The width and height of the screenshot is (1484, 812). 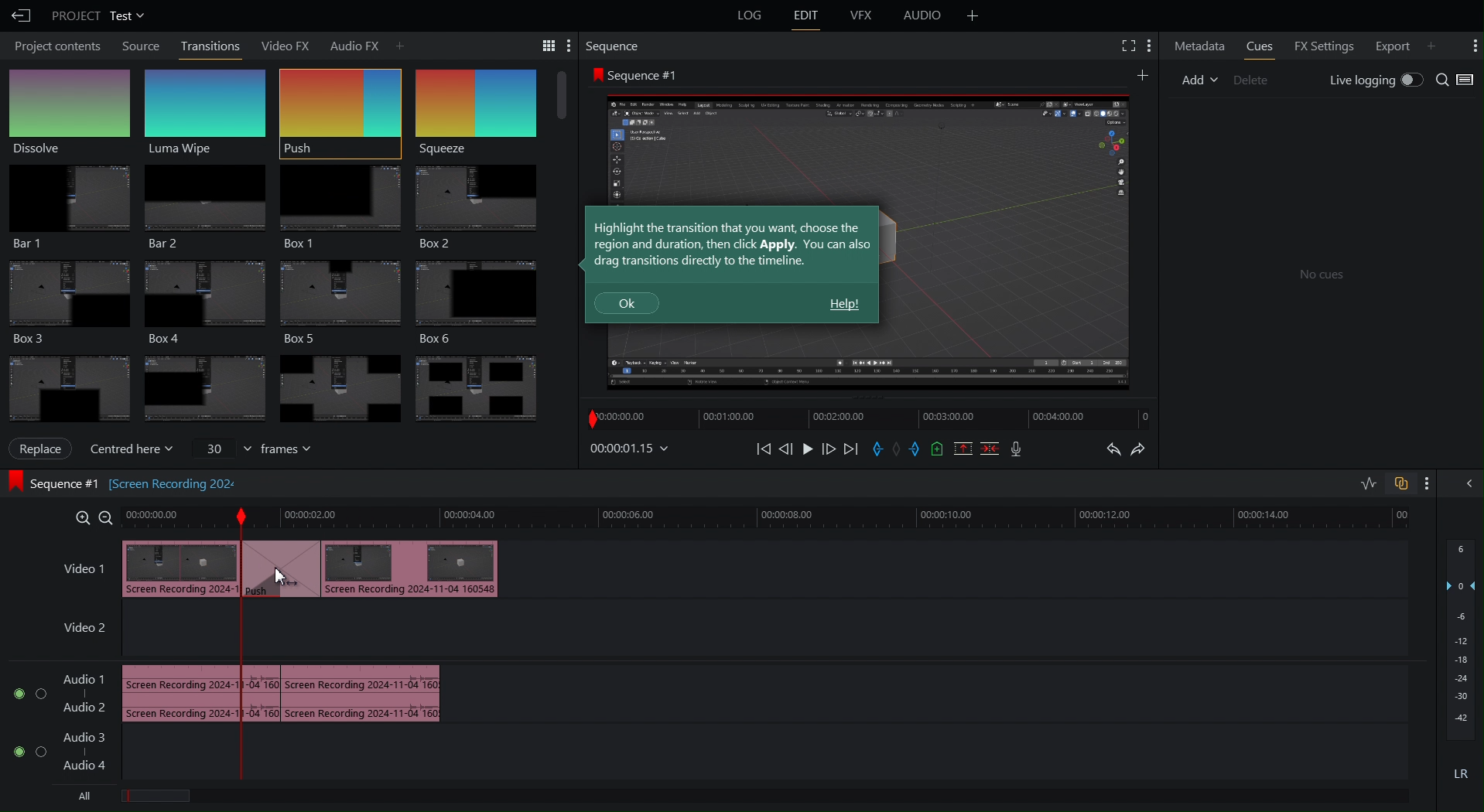 What do you see at coordinates (142, 46) in the screenshot?
I see `Source` at bounding box center [142, 46].